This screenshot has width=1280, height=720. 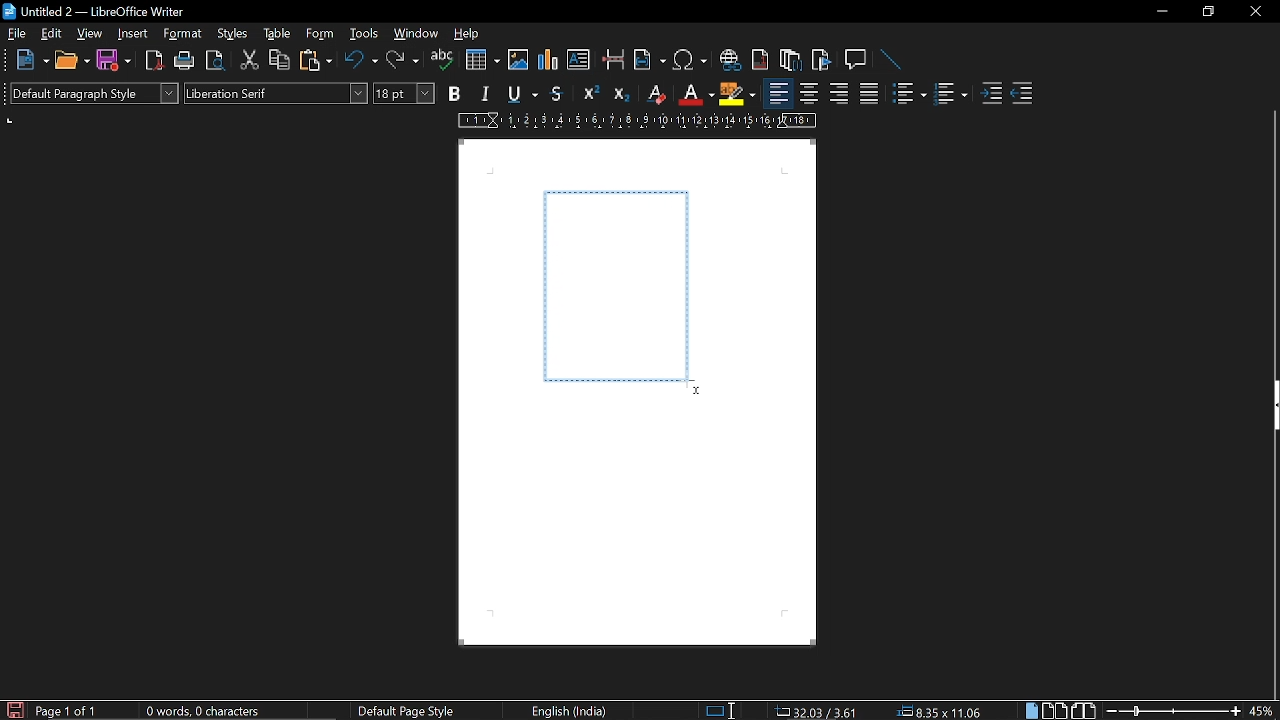 I want to click on font color, so click(x=697, y=96).